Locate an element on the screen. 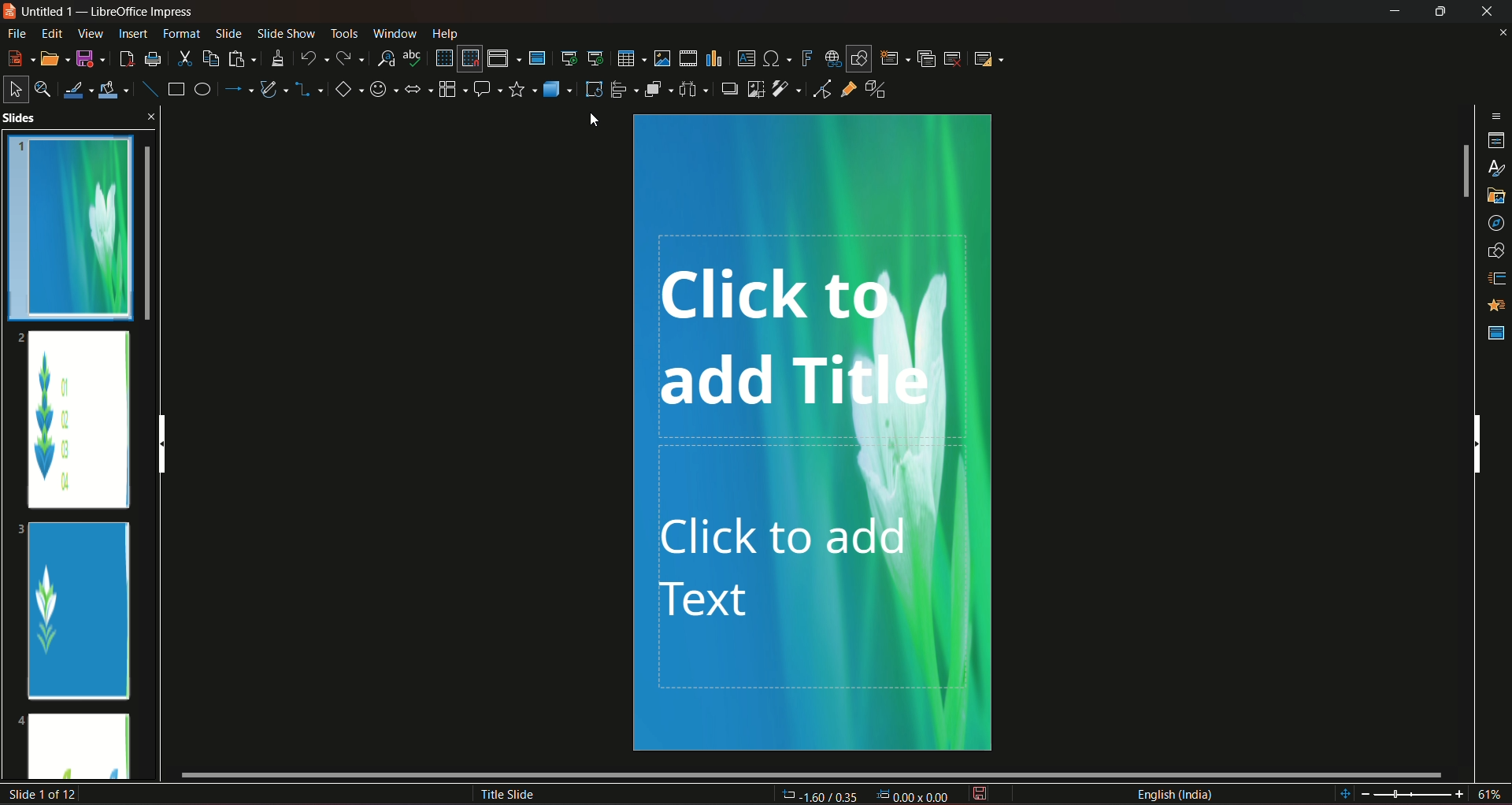 This screenshot has width=1512, height=805. select atlest 3 objects is located at coordinates (696, 88).